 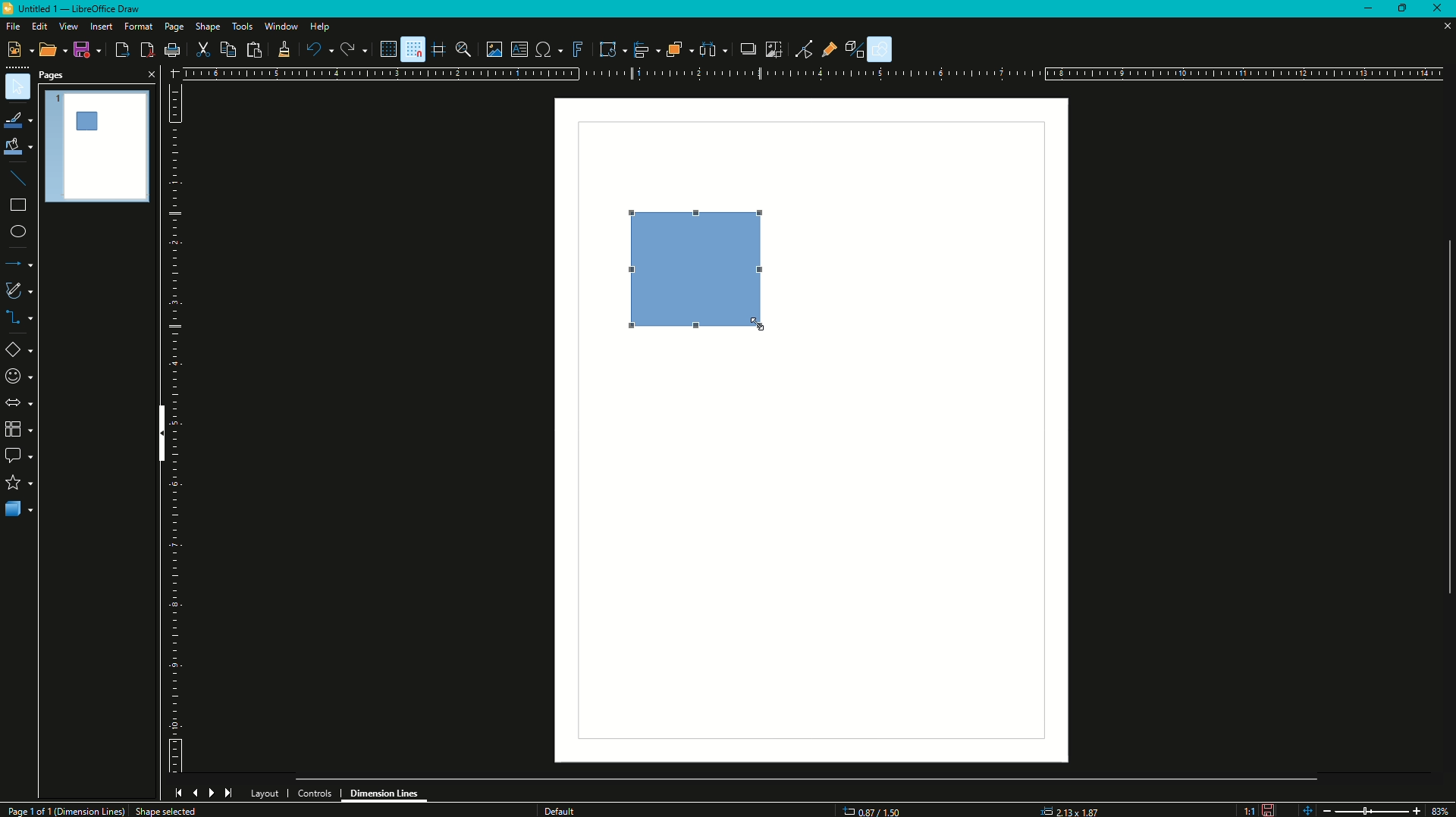 What do you see at coordinates (208, 28) in the screenshot?
I see `Shape` at bounding box center [208, 28].